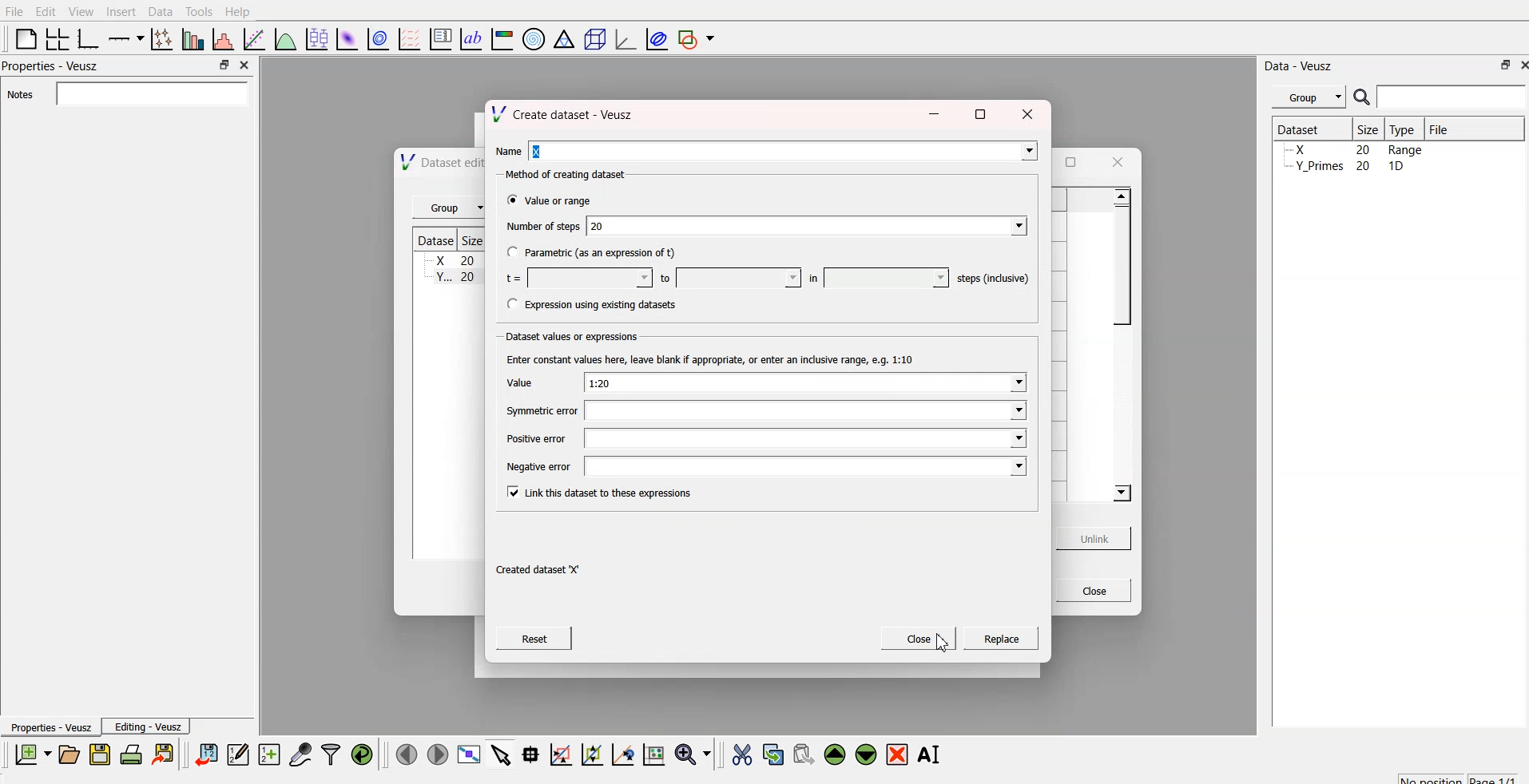 The image size is (1529, 784). What do you see at coordinates (441, 37) in the screenshot?
I see `plot key` at bounding box center [441, 37].